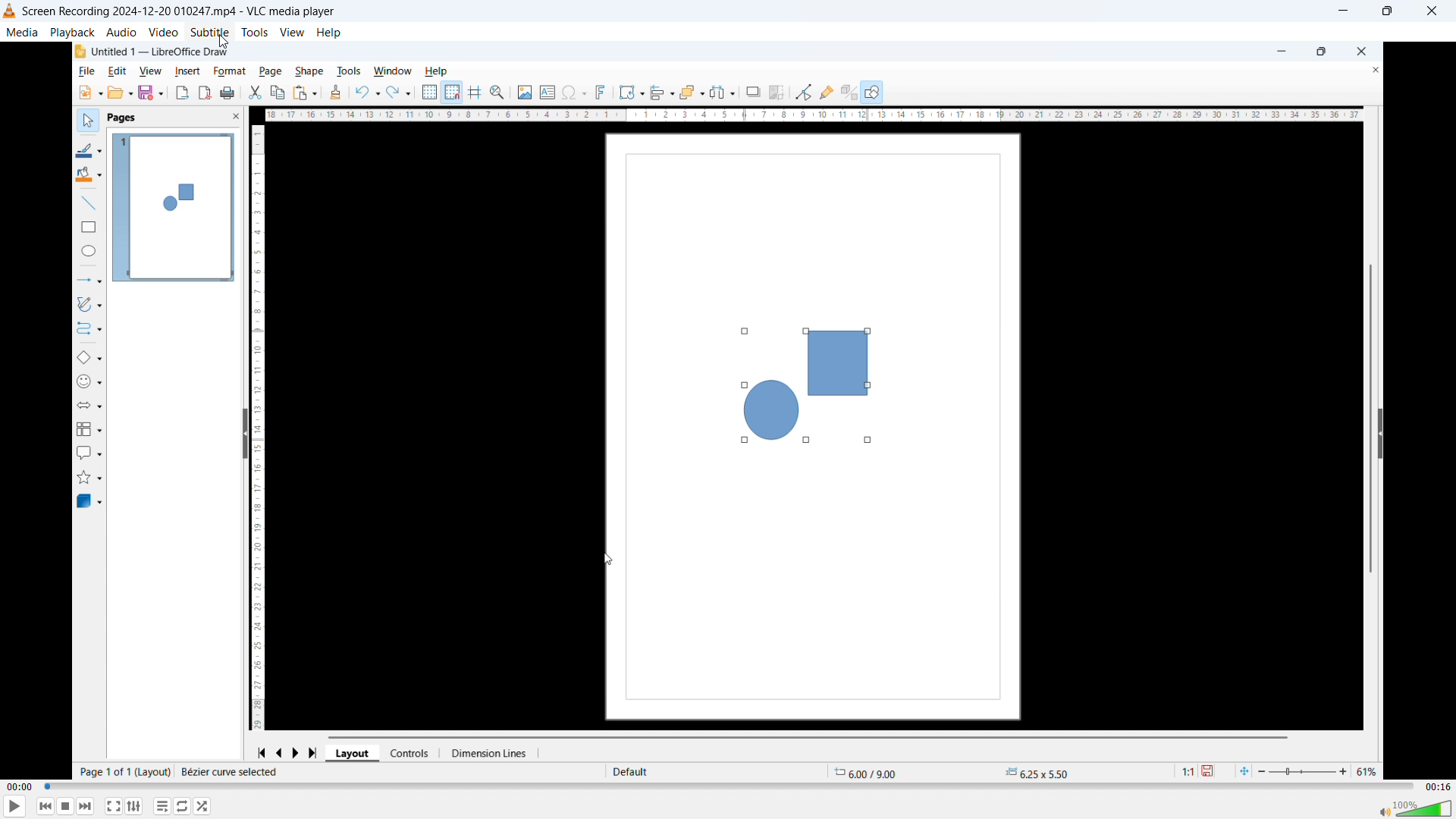 The width and height of the screenshot is (1456, 819). What do you see at coordinates (725, 93) in the screenshot?
I see `select at least three object to distribute` at bounding box center [725, 93].